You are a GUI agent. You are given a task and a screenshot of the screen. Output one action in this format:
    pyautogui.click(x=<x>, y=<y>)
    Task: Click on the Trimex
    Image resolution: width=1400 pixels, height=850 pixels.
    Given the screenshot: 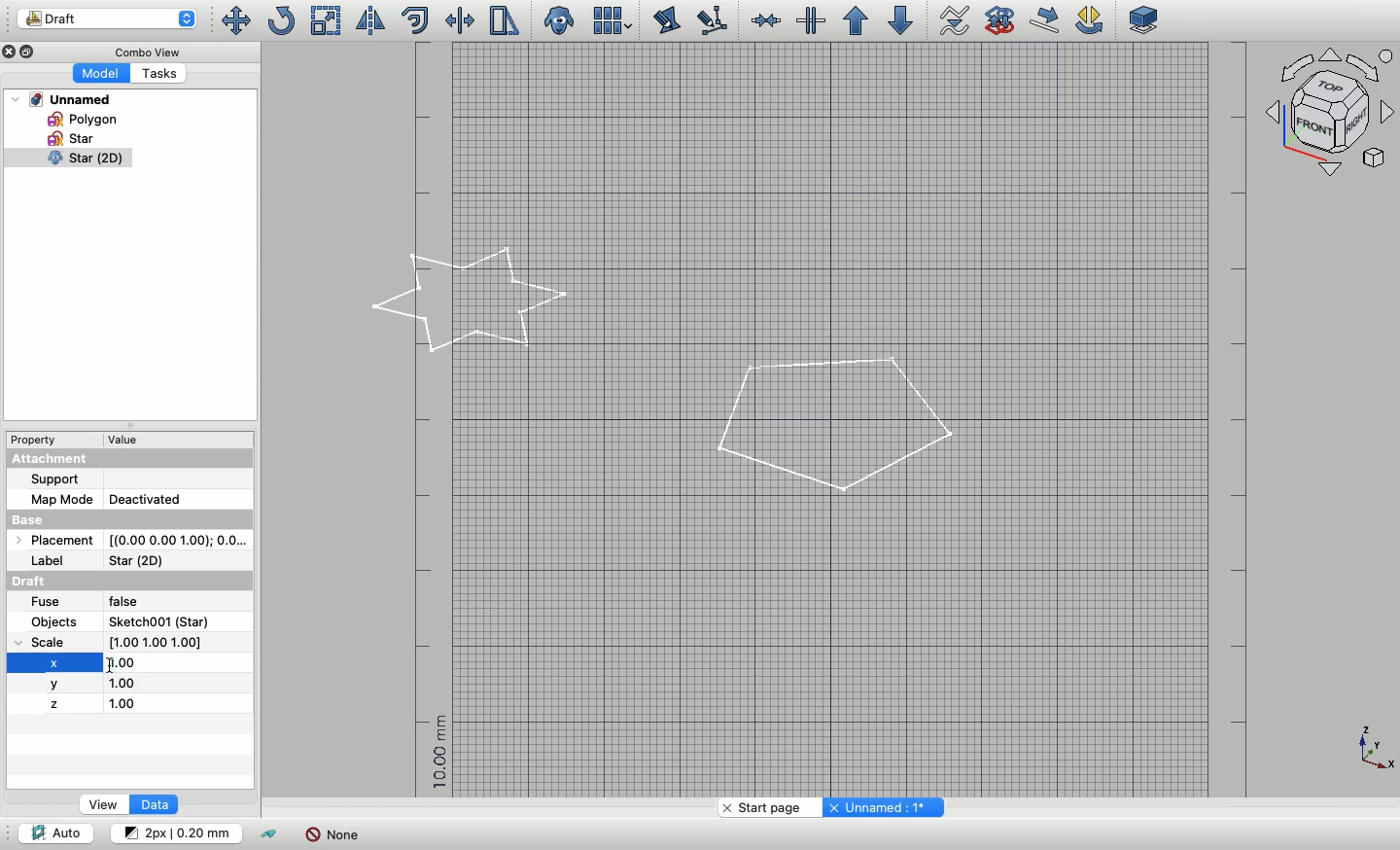 What is the action you would take?
    pyautogui.click(x=462, y=20)
    